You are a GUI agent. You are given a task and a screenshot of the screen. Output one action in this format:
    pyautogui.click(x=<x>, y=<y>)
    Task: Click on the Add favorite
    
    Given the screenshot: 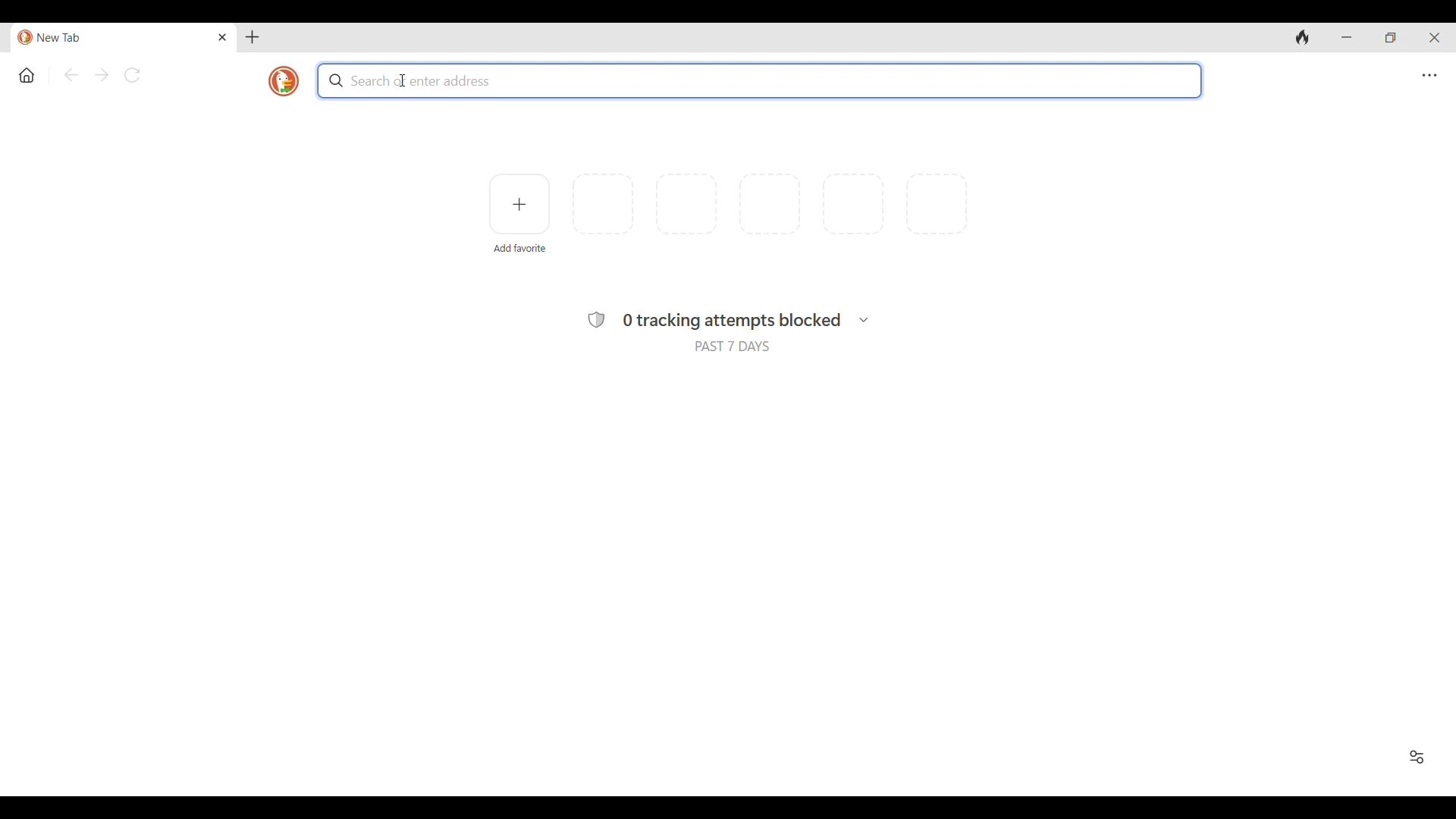 What is the action you would take?
    pyautogui.click(x=519, y=204)
    